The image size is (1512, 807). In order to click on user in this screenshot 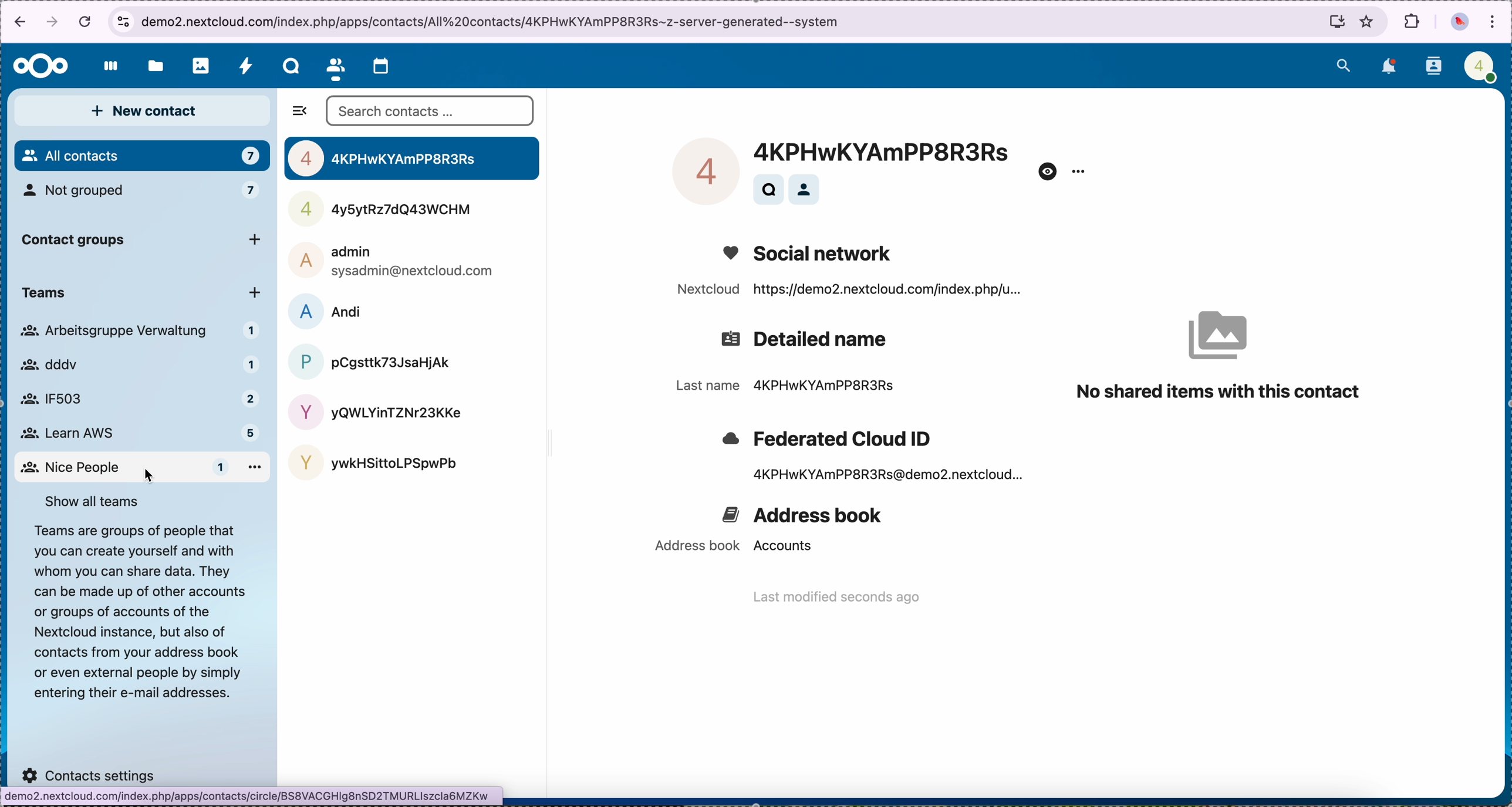, I will do `click(374, 461)`.